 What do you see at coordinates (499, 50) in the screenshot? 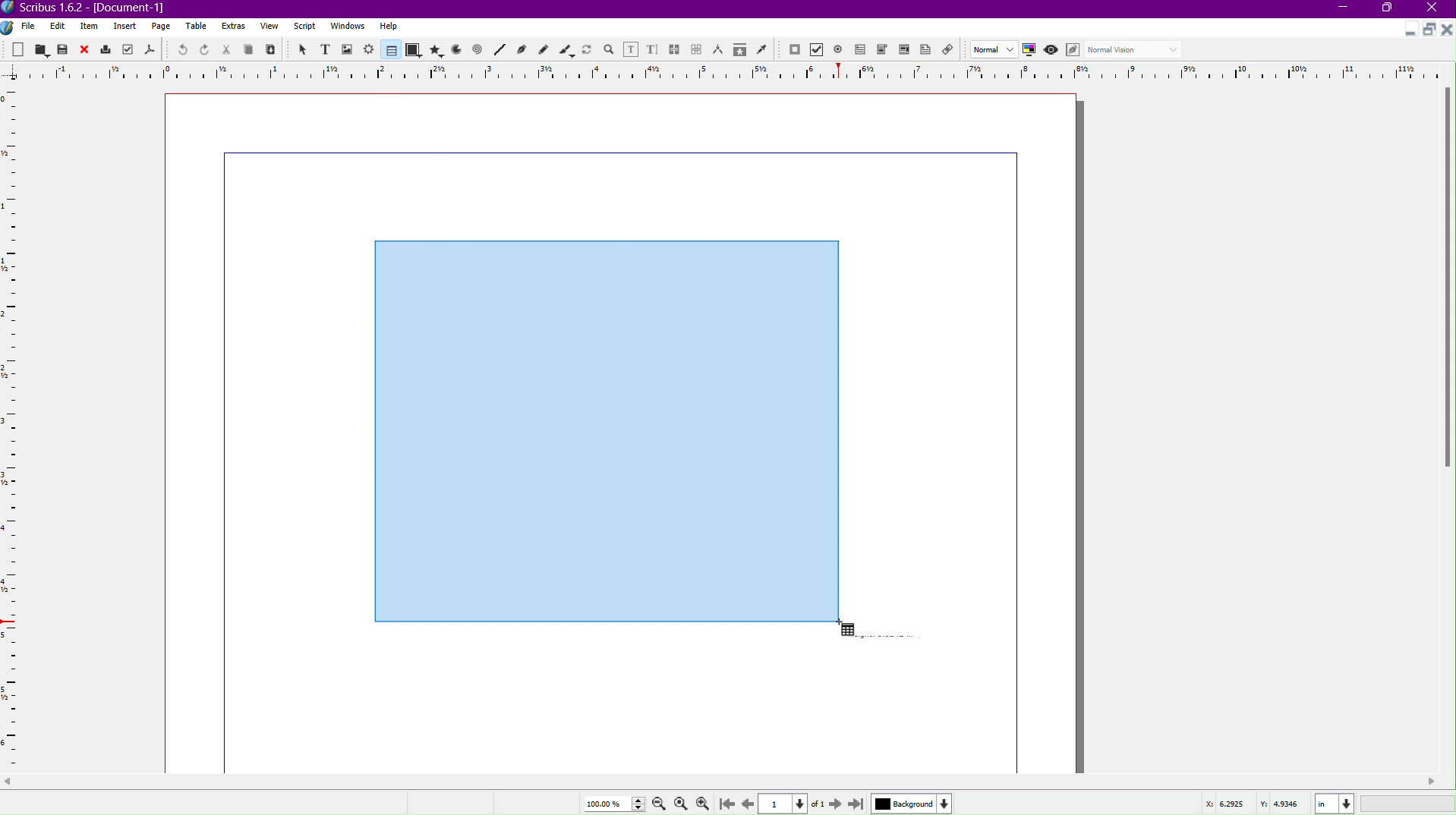
I see `Line` at bounding box center [499, 50].